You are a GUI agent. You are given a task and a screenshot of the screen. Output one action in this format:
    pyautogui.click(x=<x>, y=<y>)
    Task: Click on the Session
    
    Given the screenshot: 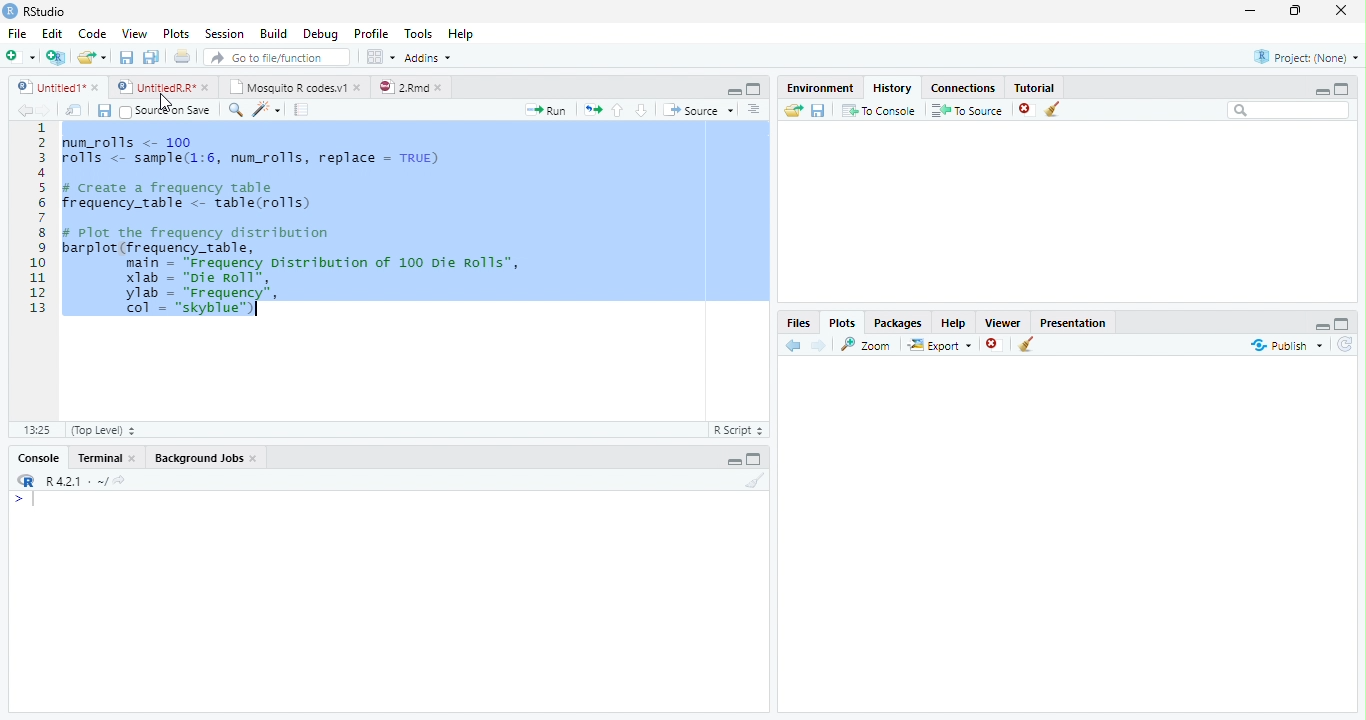 What is the action you would take?
    pyautogui.click(x=225, y=33)
    